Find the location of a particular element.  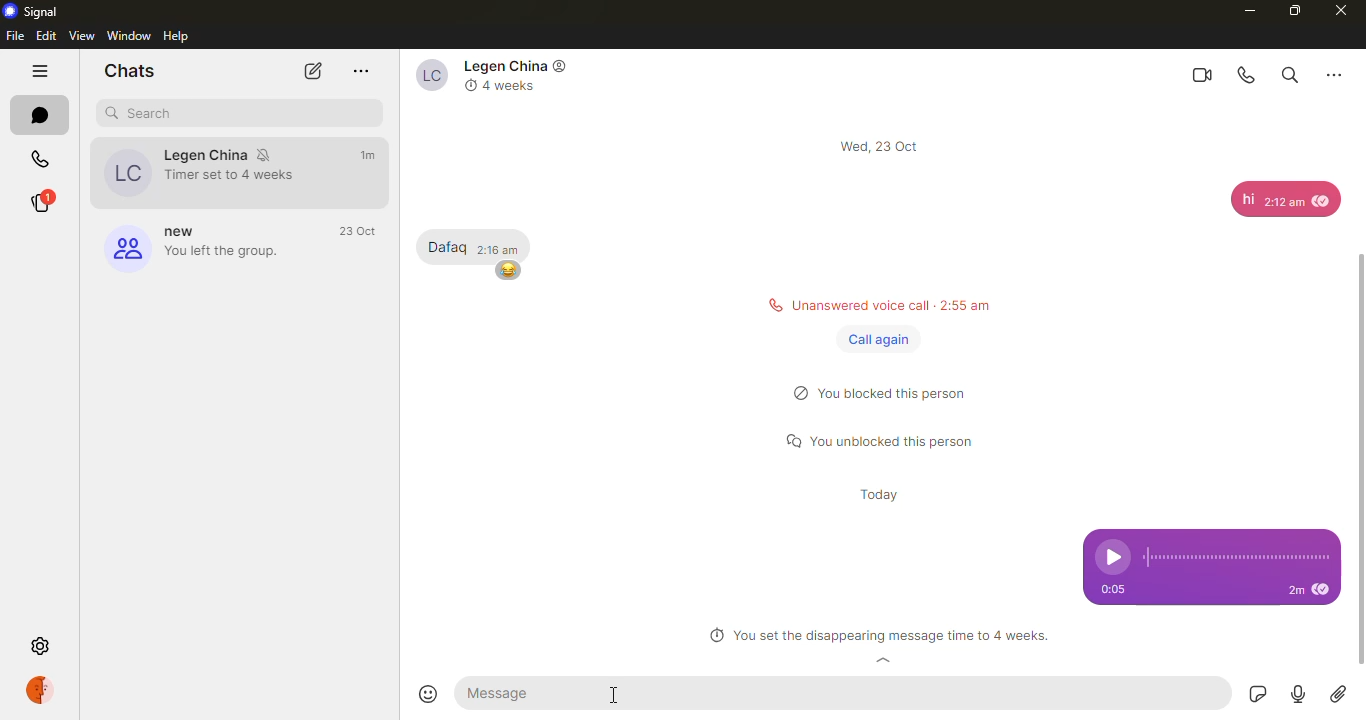

maximize is located at coordinates (1293, 10).